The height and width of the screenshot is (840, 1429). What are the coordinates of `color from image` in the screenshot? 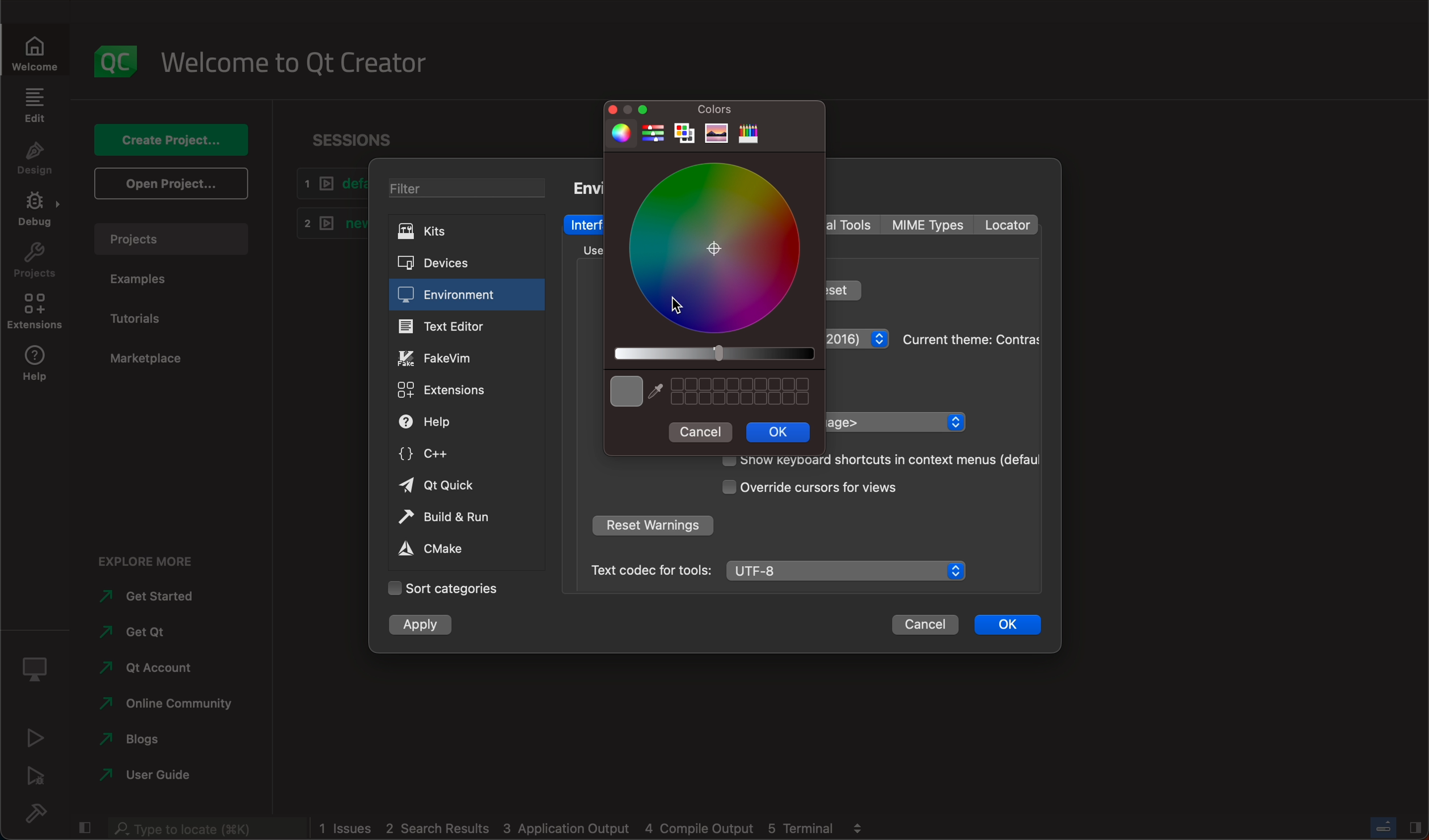 It's located at (717, 134).